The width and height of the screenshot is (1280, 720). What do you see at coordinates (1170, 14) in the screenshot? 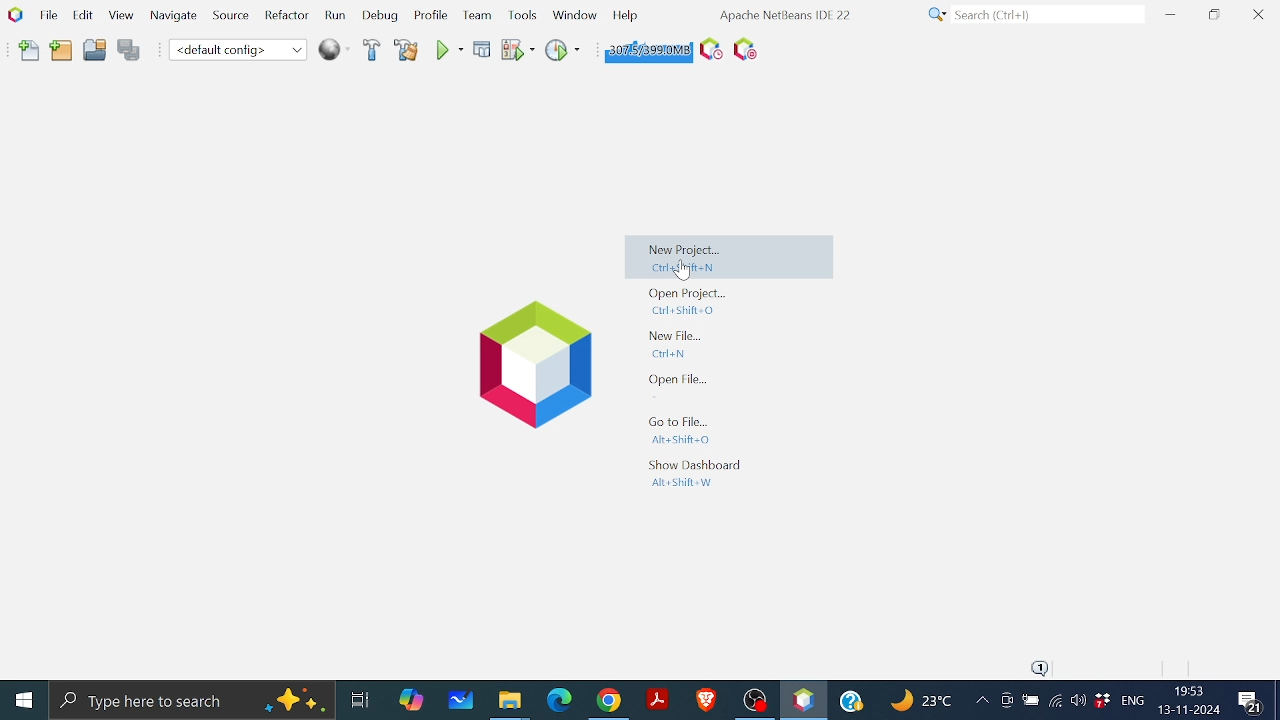
I see `Minimize` at bounding box center [1170, 14].